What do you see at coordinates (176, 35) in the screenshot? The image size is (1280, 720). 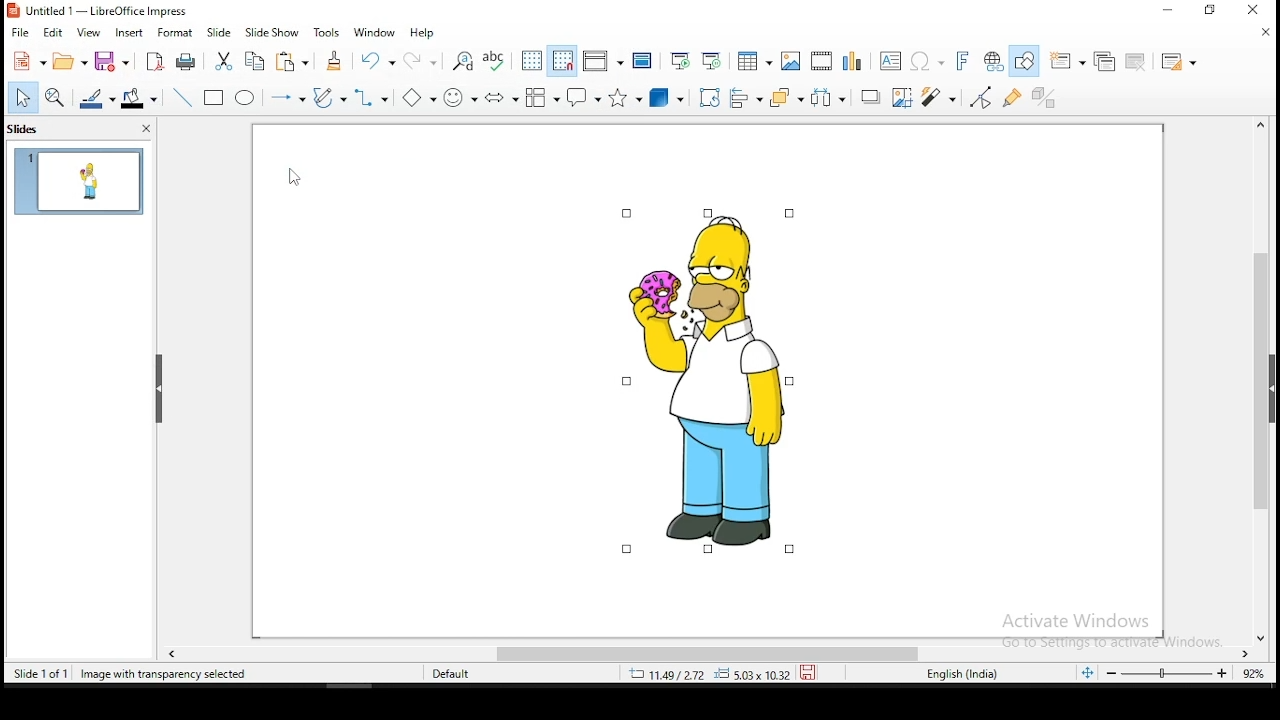 I see `format` at bounding box center [176, 35].